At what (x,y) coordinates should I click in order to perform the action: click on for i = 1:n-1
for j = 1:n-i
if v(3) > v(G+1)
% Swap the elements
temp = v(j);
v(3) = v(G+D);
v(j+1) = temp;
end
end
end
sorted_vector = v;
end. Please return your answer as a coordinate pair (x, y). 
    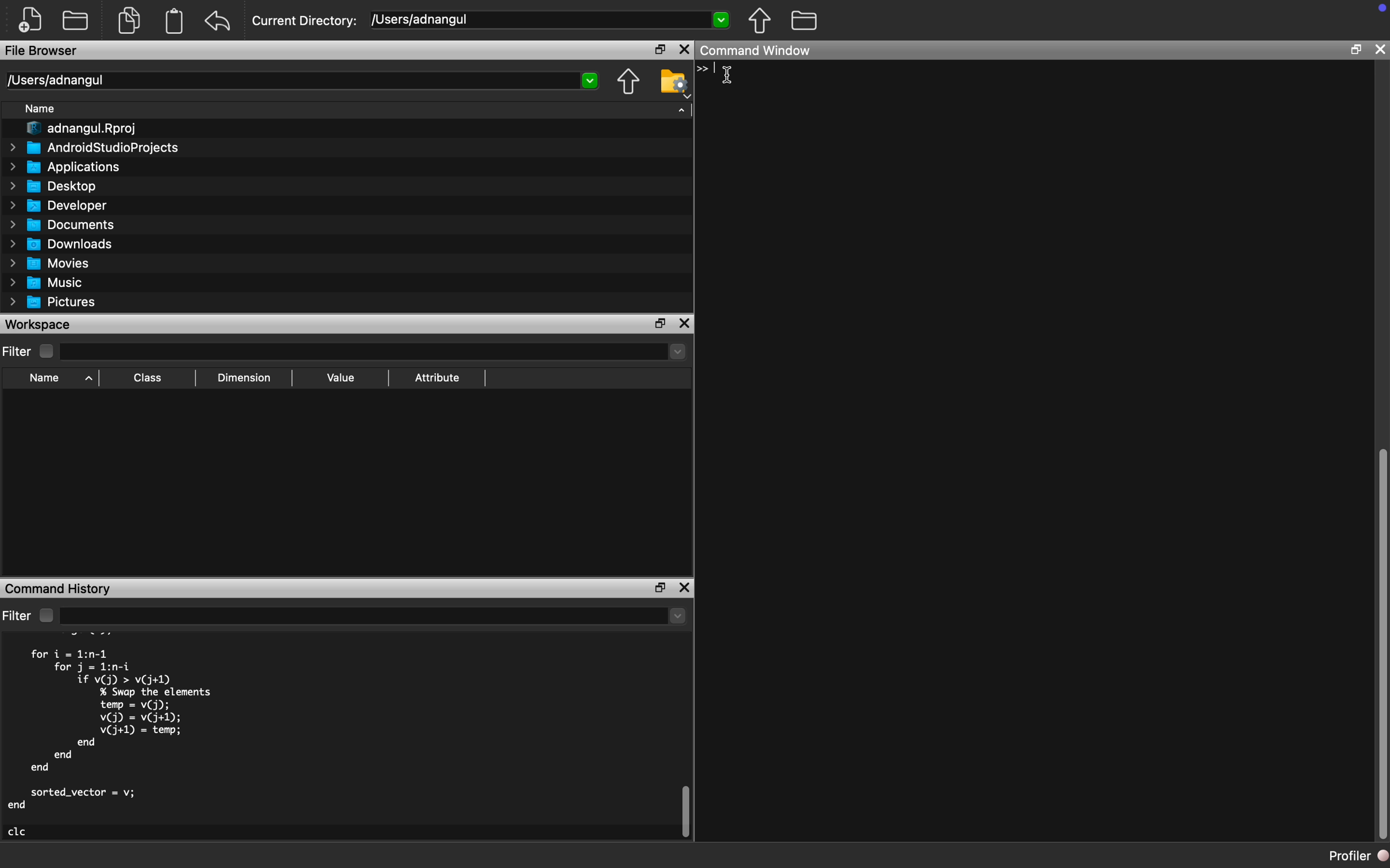
    Looking at the image, I should click on (111, 729).